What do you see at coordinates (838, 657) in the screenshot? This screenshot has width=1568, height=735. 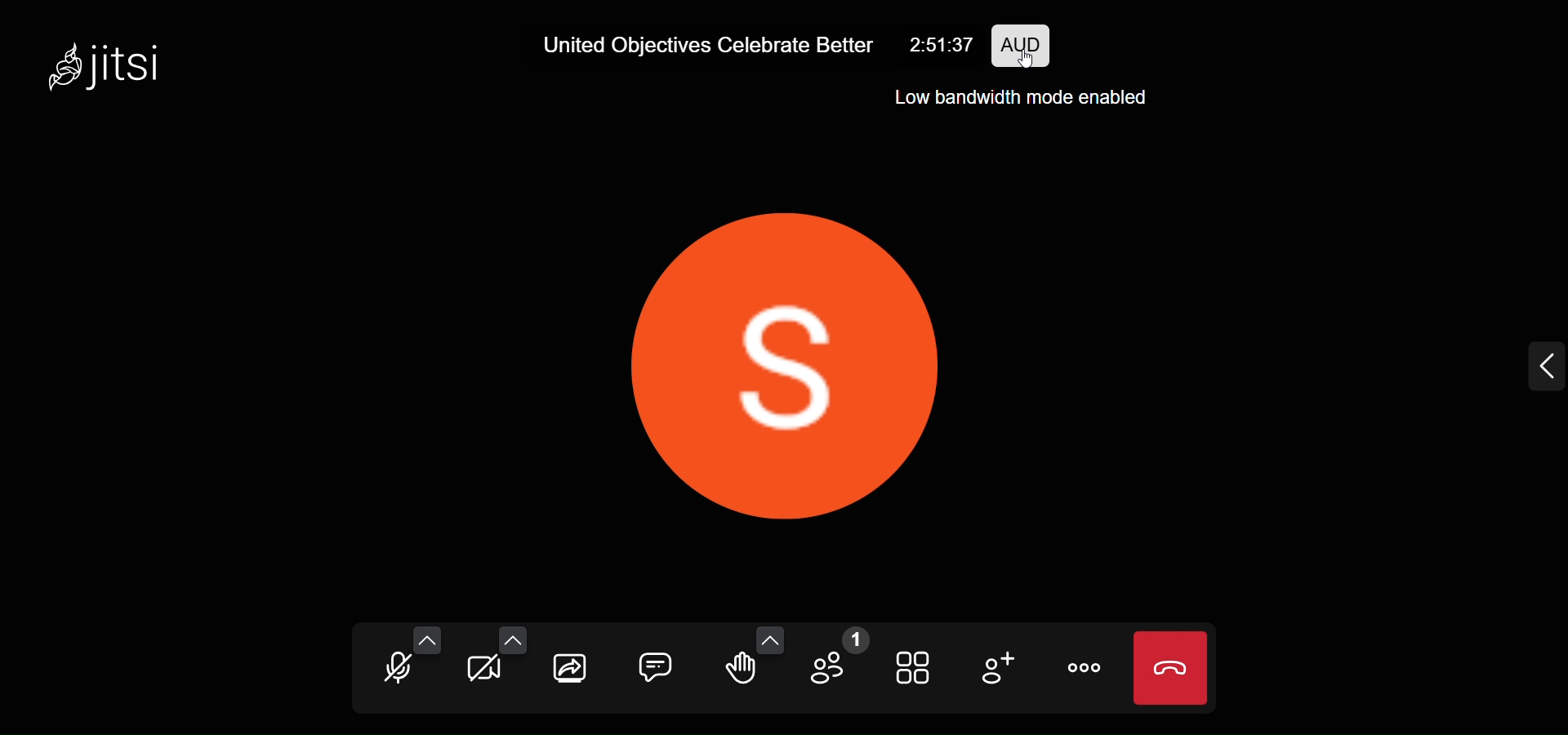 I see `participants` at bounding box center [838, 657].